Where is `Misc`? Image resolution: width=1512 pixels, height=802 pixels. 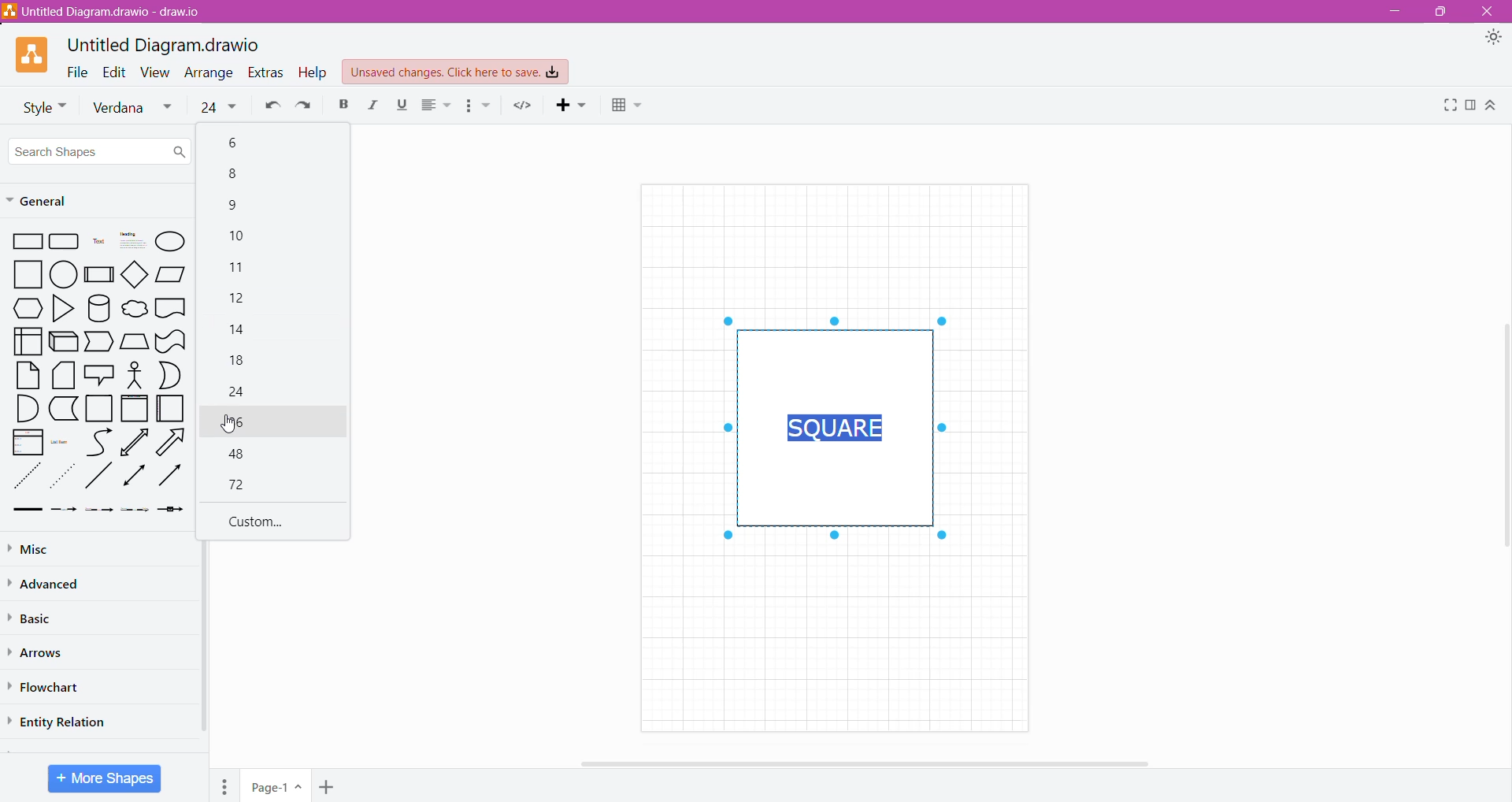
Misc is located at coordinates (40, 549).